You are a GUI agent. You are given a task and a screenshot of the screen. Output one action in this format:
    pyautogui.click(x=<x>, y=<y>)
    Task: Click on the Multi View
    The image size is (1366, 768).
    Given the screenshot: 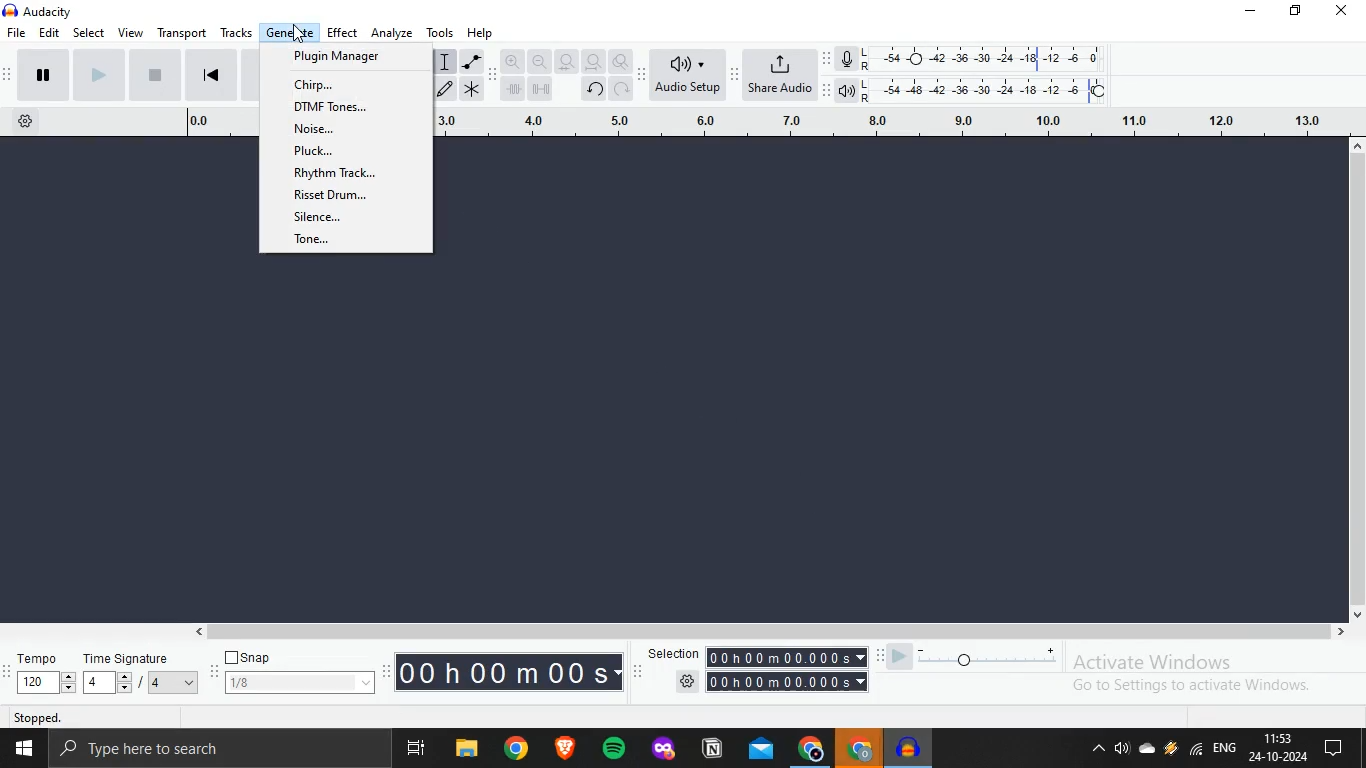 What is the action you would take?
    pyautogui.click(x=417, y=749)
    